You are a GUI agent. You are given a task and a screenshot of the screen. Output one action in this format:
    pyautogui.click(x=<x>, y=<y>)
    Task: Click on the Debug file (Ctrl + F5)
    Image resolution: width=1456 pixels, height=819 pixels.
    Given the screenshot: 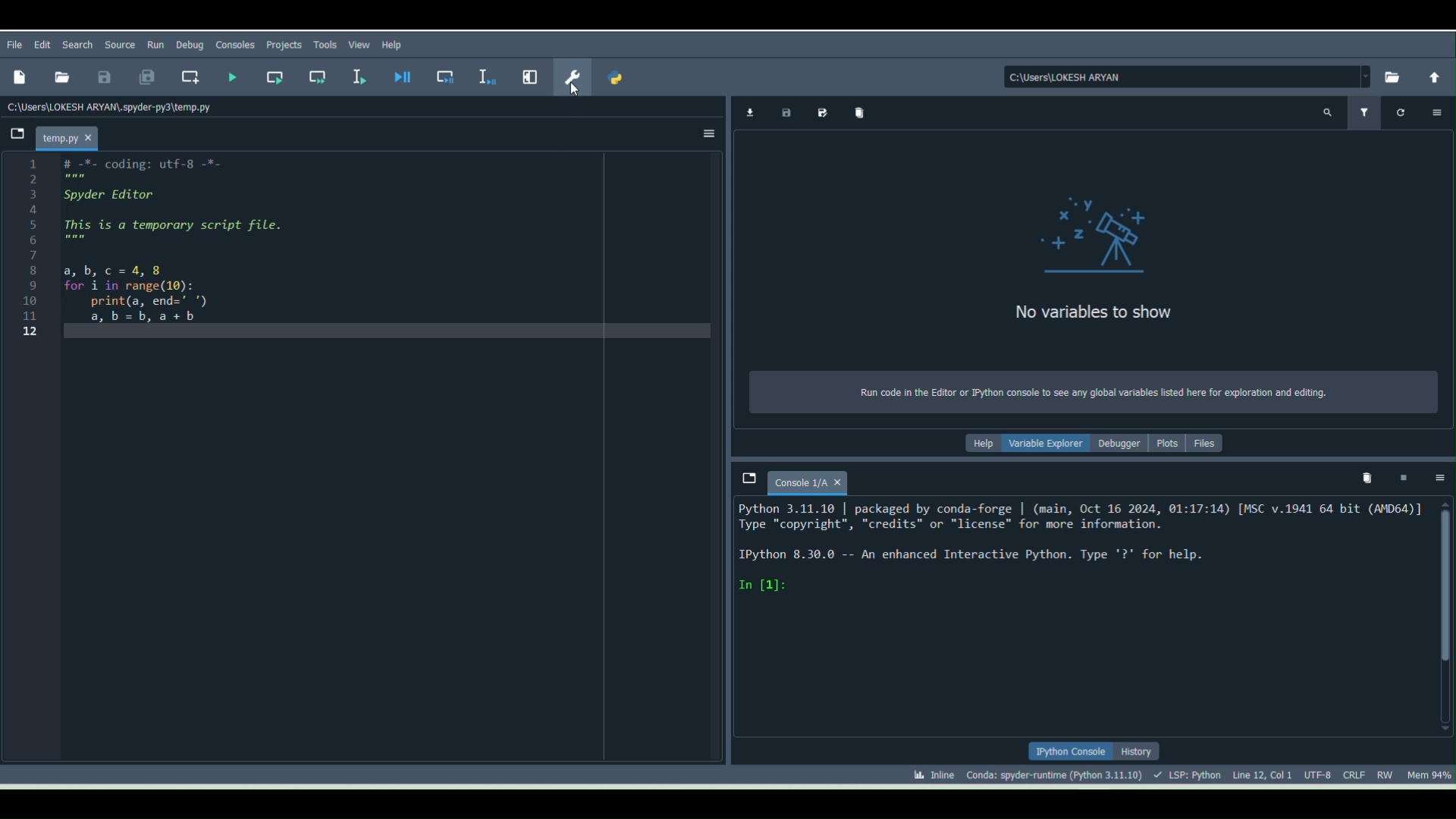 What is the action you would take?
    pyautogui.click(x=406, y=77)
    